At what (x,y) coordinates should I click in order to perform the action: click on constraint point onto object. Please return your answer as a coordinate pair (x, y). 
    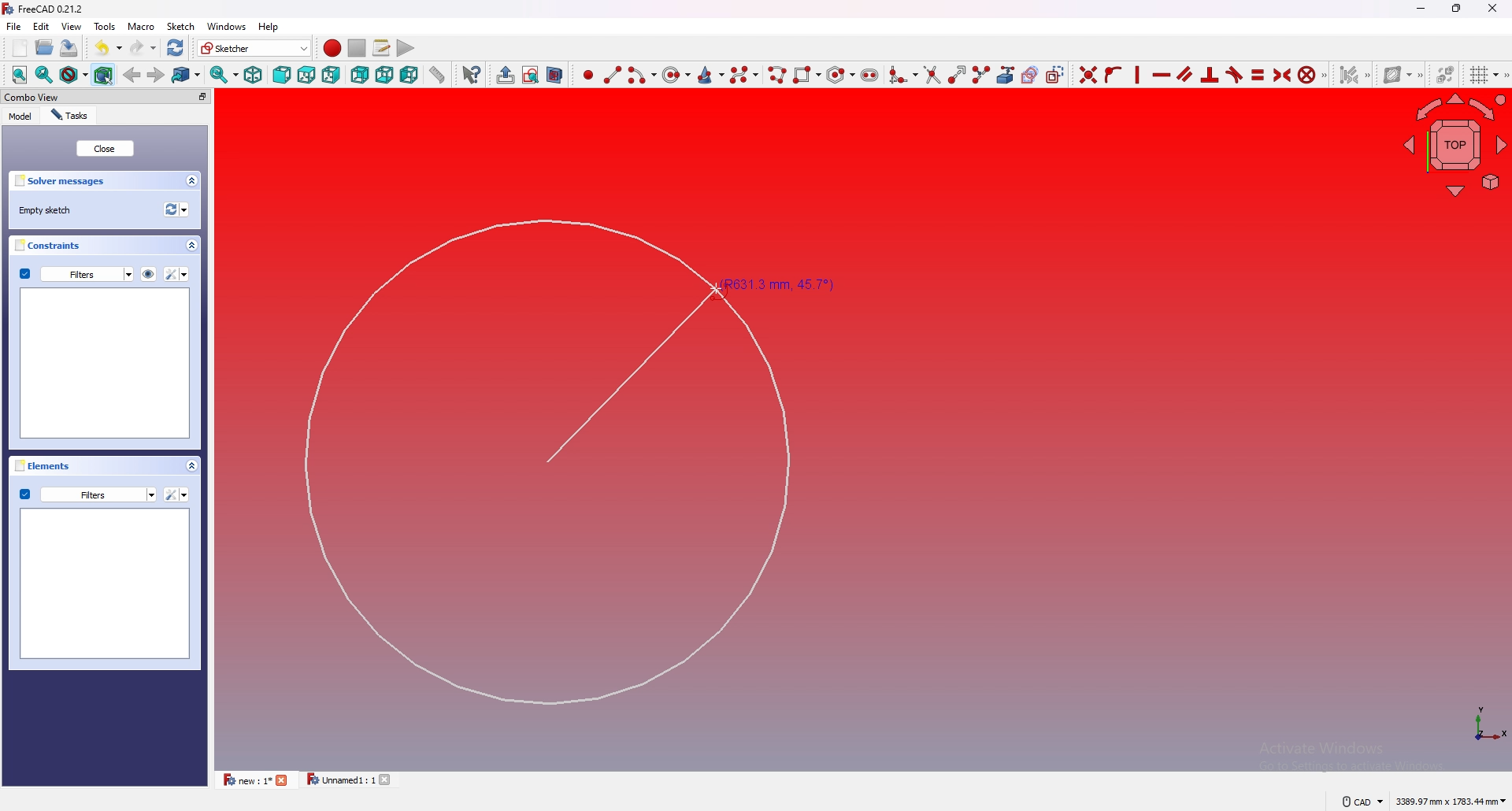
    Looking at the image, I should click on (1114, 74).